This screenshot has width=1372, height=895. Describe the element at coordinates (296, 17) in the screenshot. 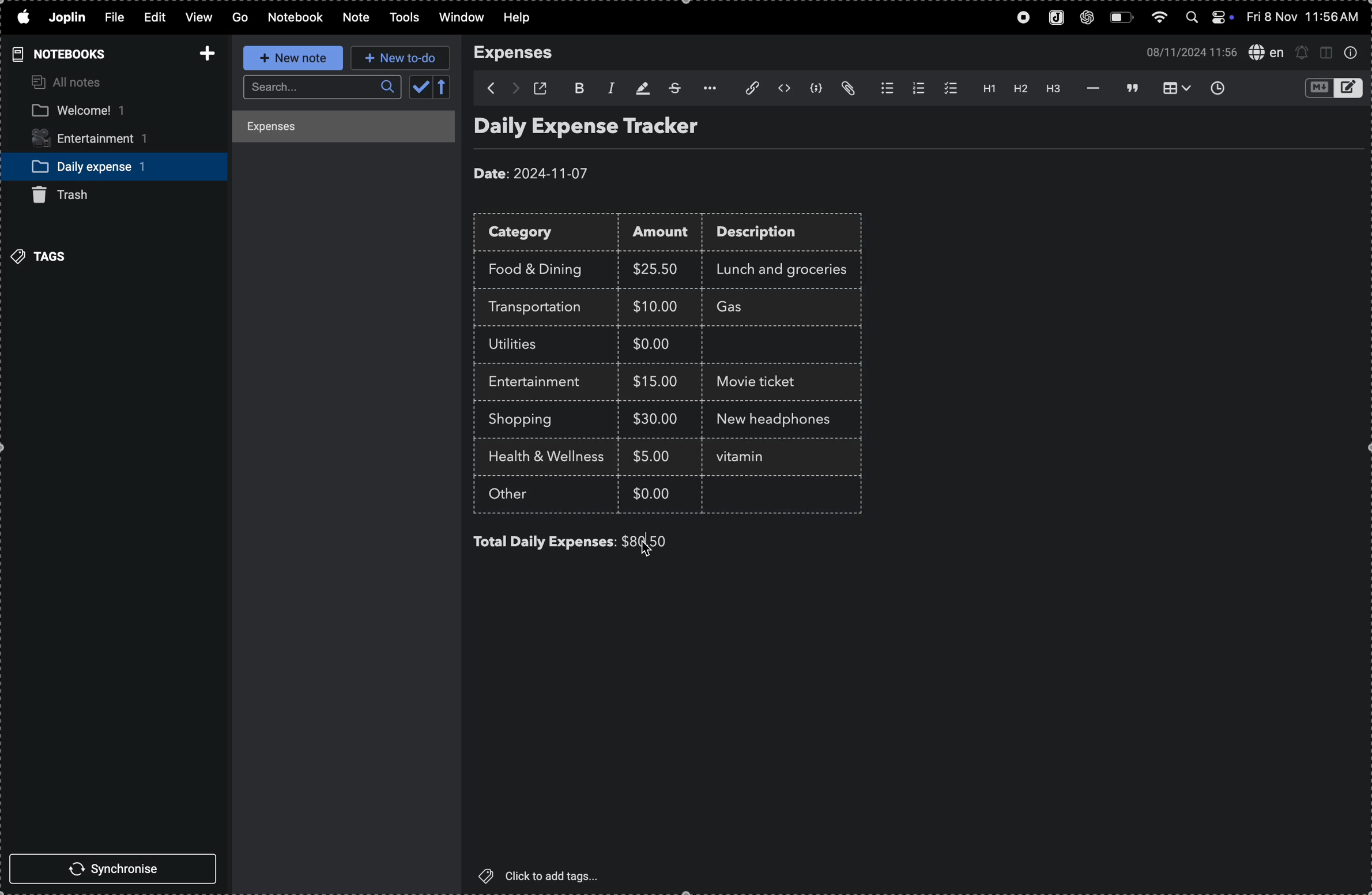

I see `notebook` at that location.